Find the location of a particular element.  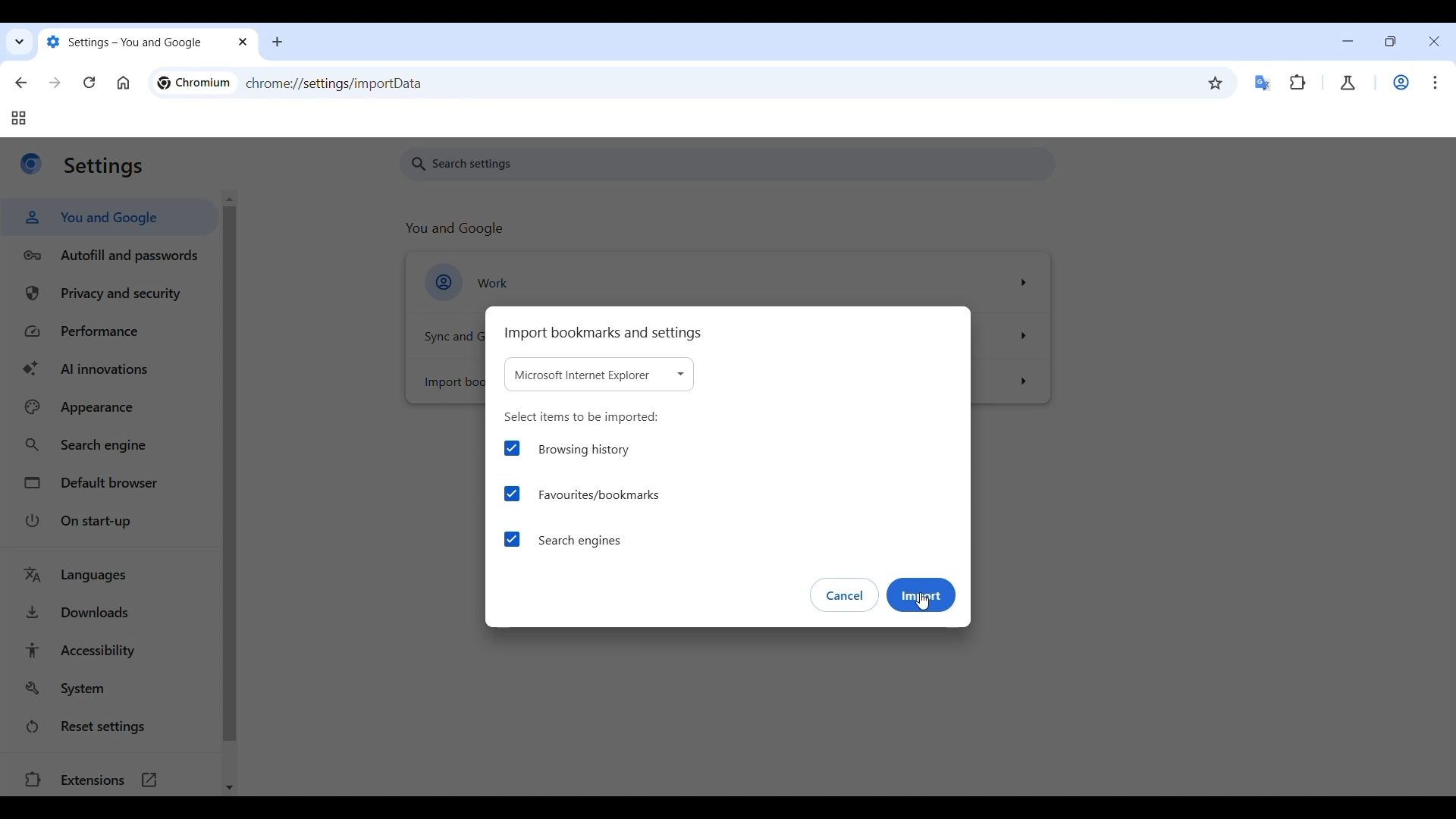

On start-up is located at coordinates (109, 522).